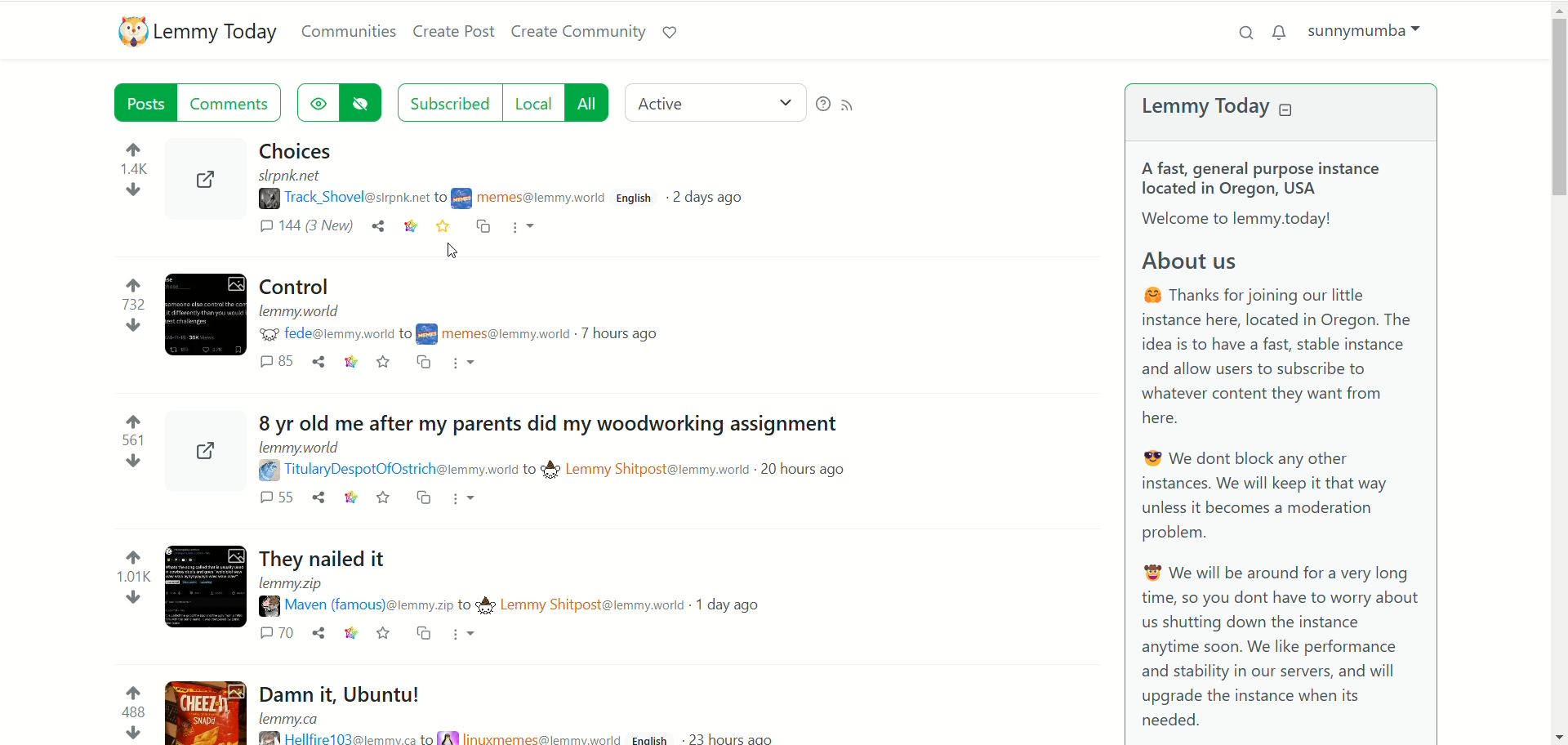 Image resolution: width=1568 pixels, height=745 pixels. I want to click on Post on "They nailed it", so click(429, 580).